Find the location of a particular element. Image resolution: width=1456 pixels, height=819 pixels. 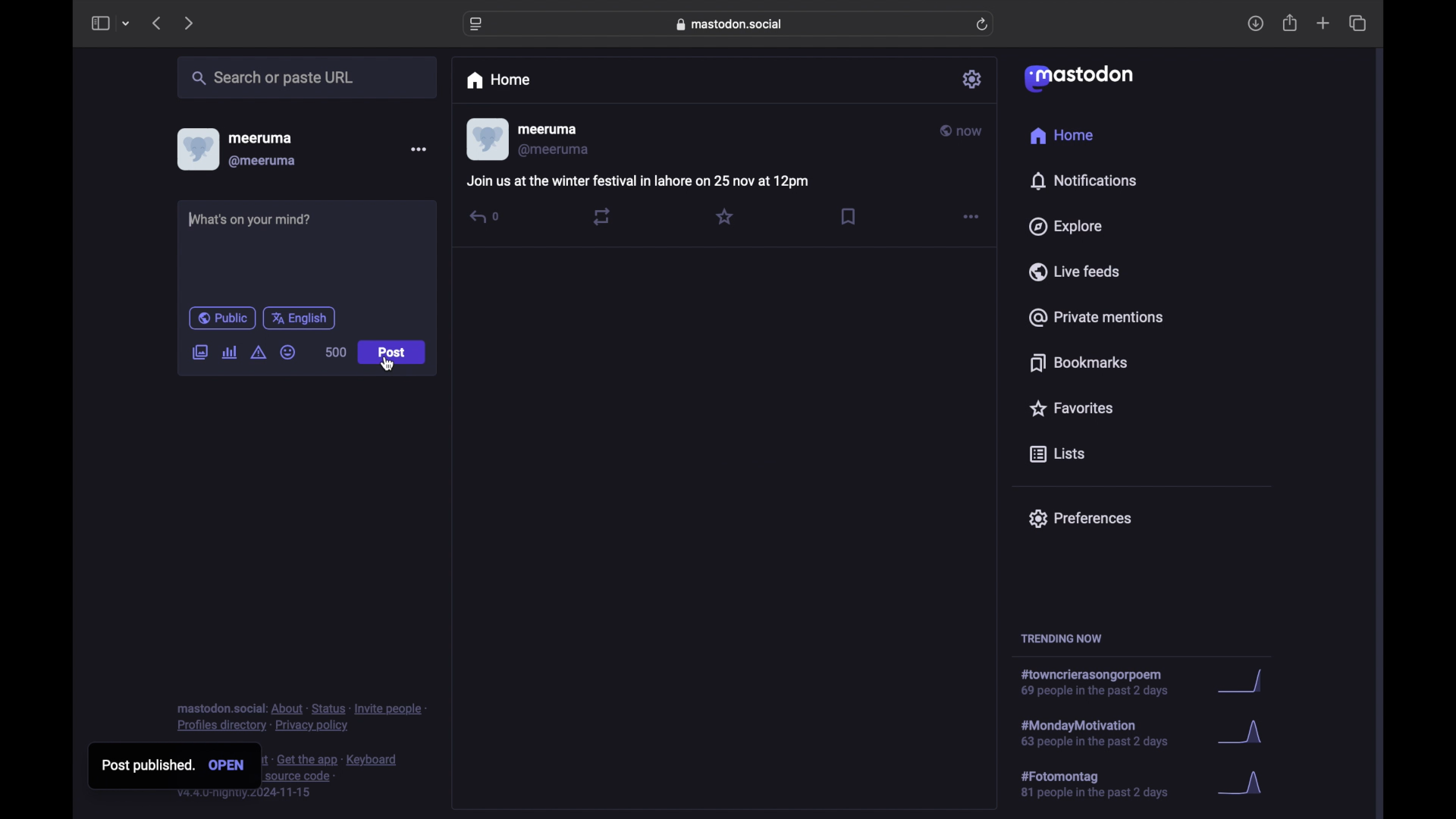

graph is located at coordinates (1244, 682).